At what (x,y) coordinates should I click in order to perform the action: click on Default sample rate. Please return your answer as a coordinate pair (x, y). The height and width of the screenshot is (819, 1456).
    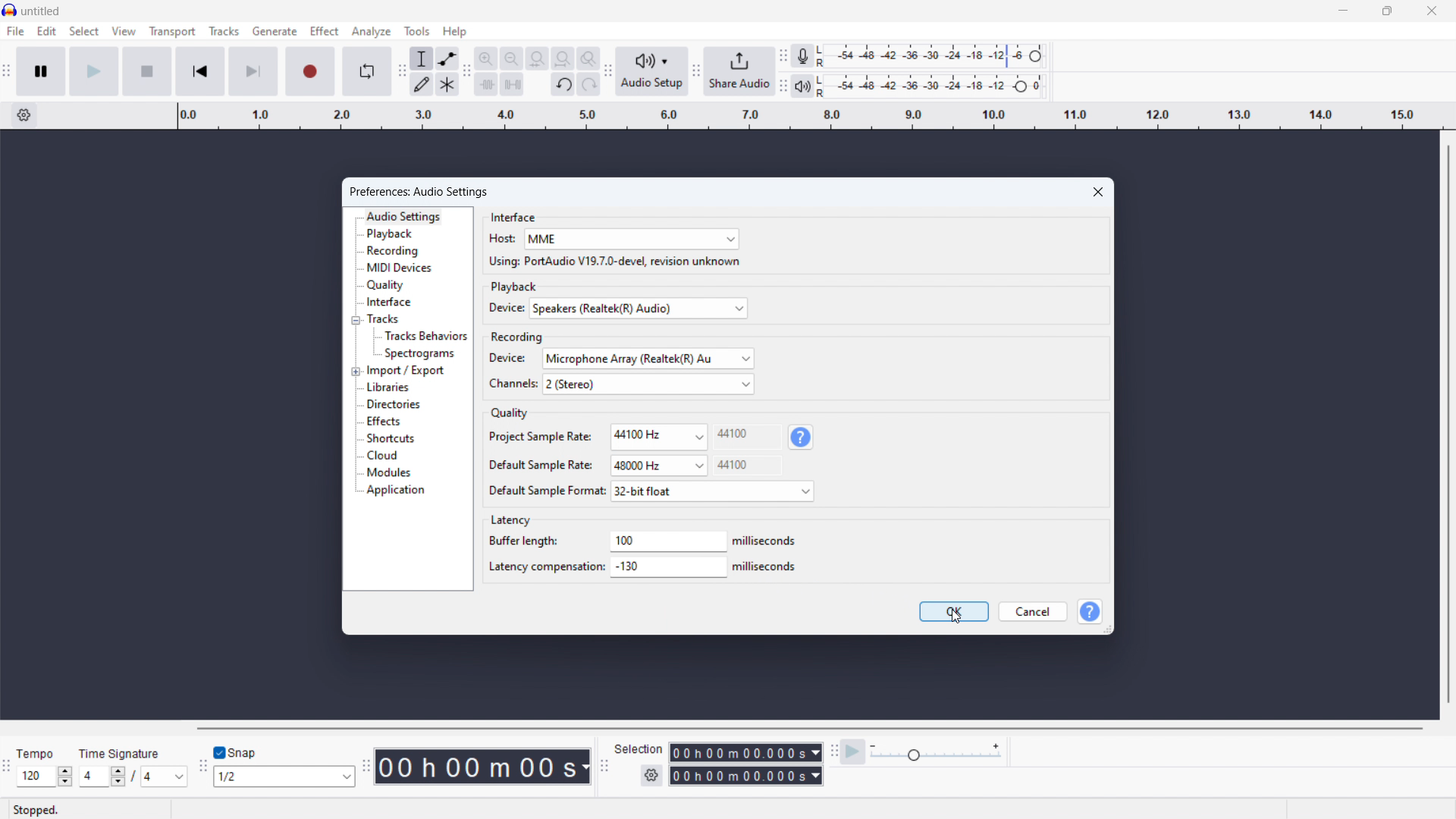
    Looking at the image, I should click on (539, 465).